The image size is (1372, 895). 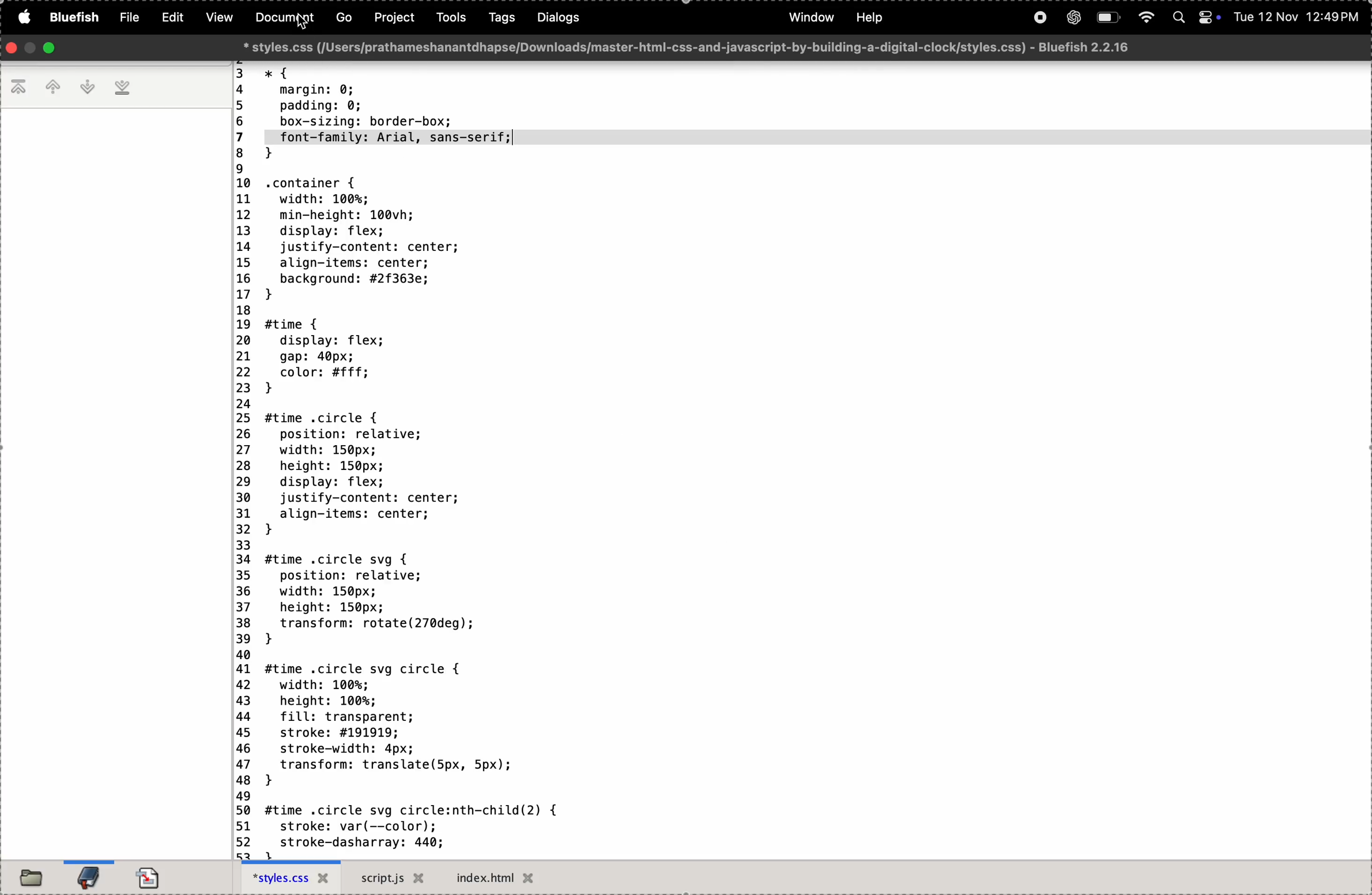 What do you see at coordinates (496, 20) in the screenshot?
I see `tags` at bounding box center [496, 20].